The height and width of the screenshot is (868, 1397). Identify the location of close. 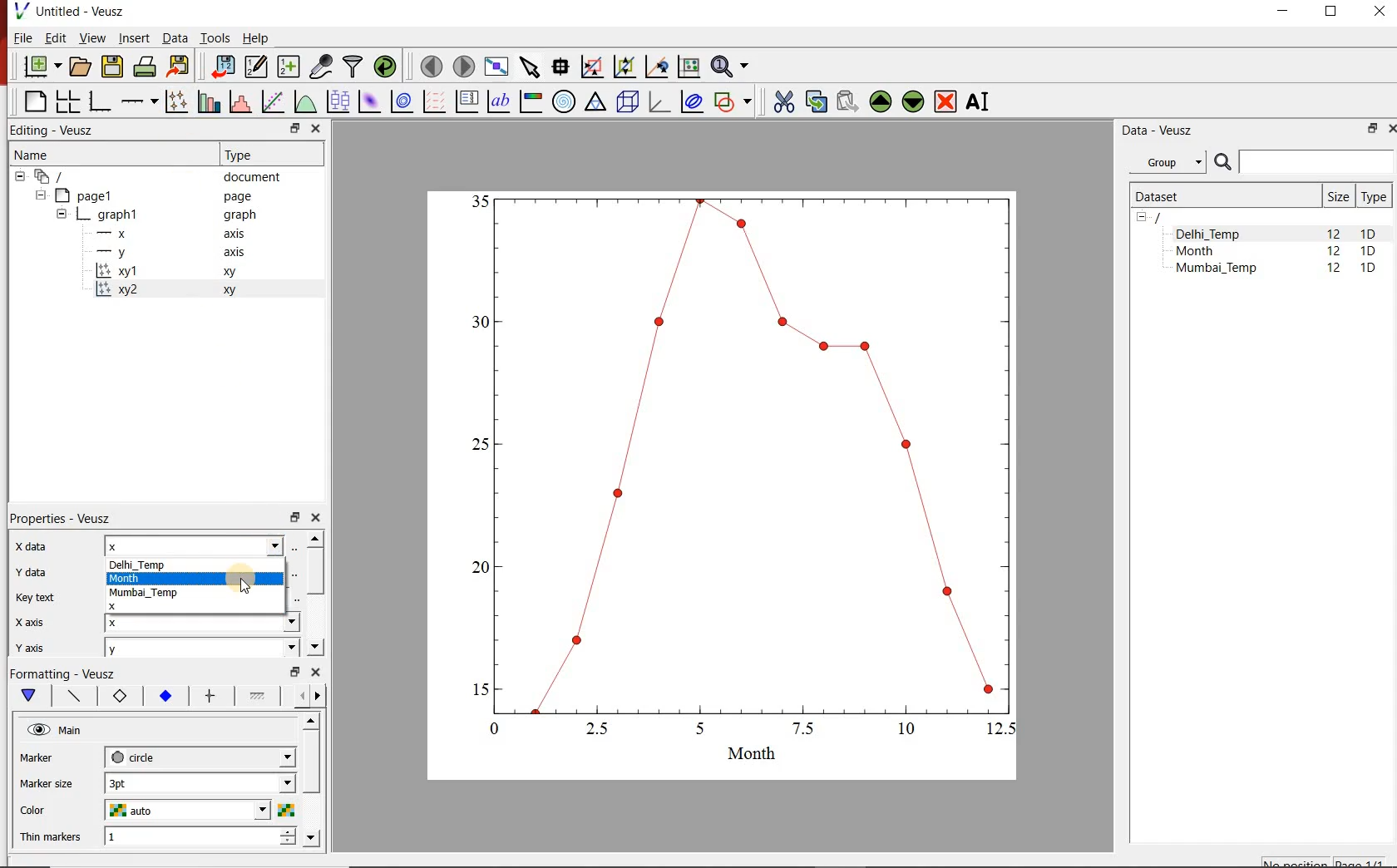
(315, 672).